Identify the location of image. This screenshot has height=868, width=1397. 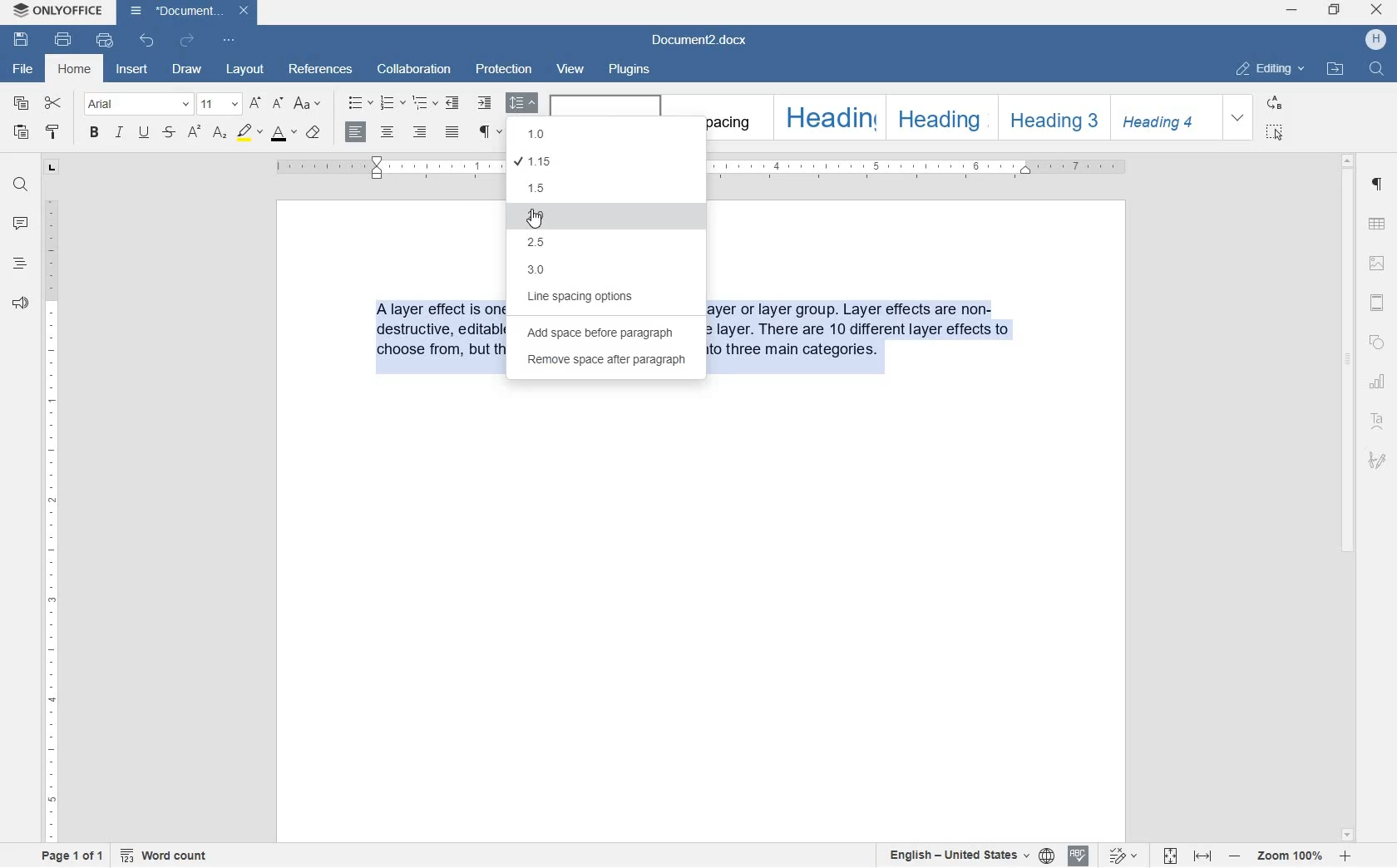
(1377, 263).